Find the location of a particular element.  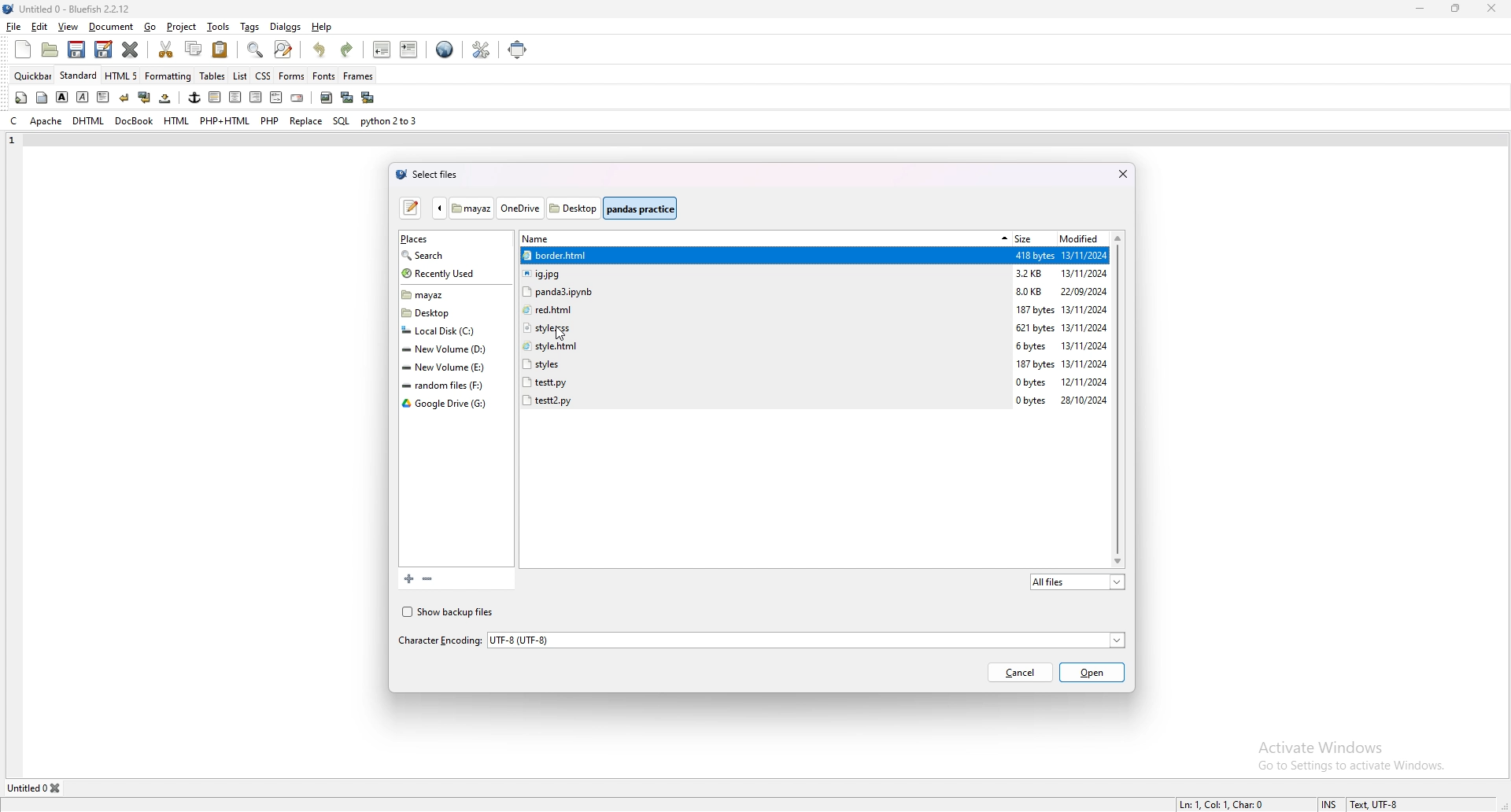

quick bar is located at coordinates (34, 76).